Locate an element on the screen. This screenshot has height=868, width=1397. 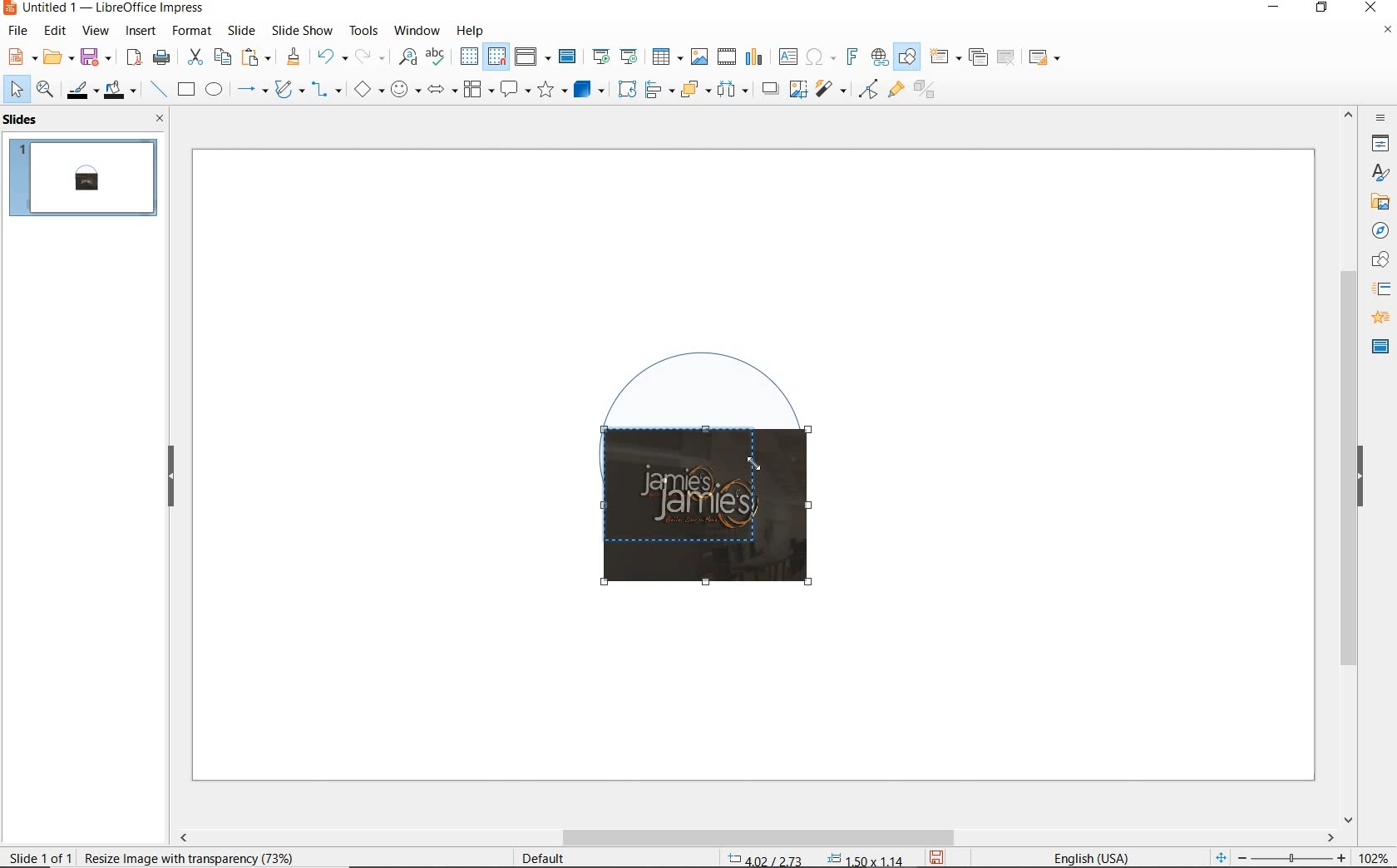
ellipse is located at coordinates (214, 91).